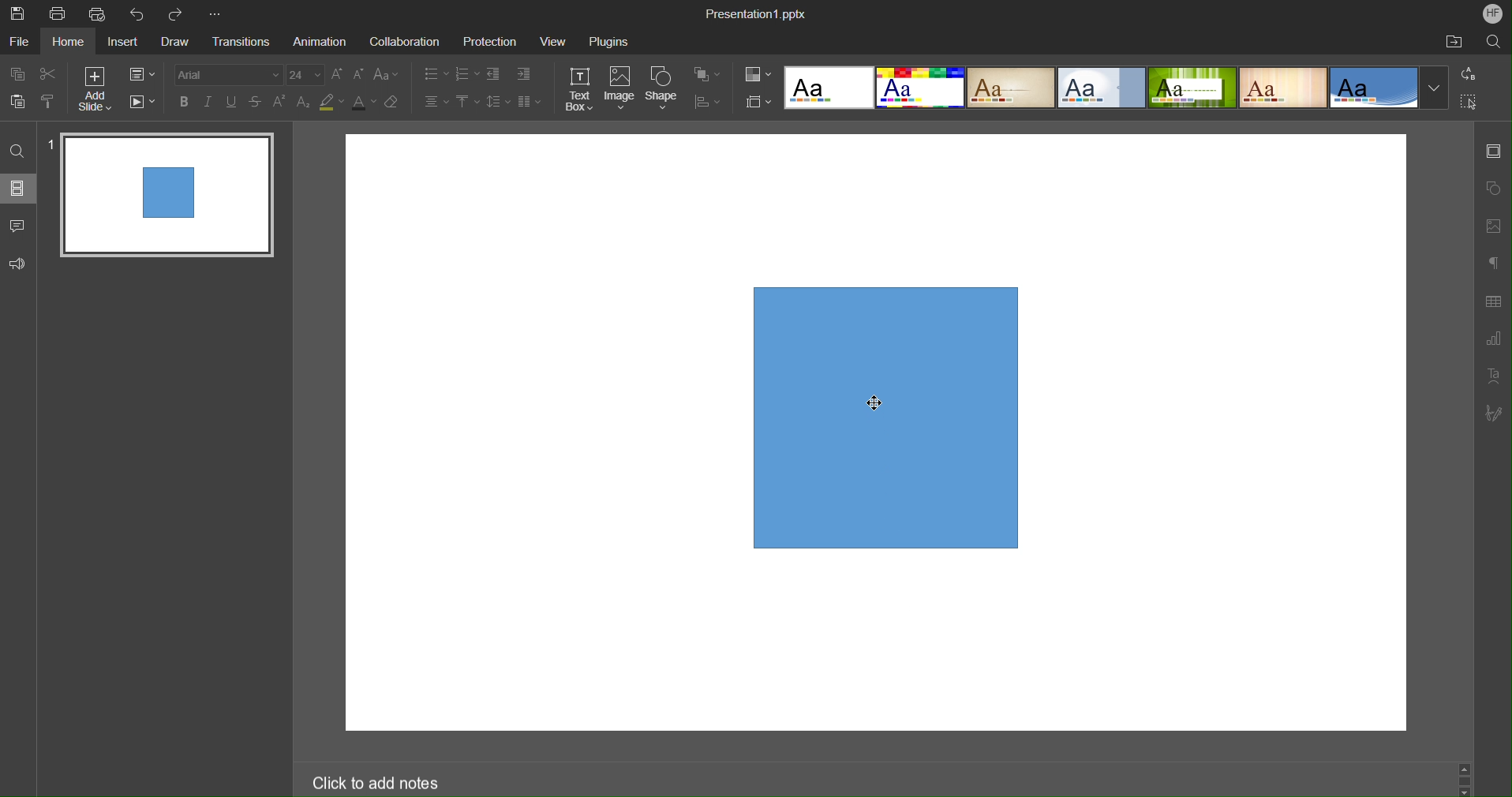 The height and width of the screenshot is (797, 1512). Describe the element at coordinates (305, 76) in the screenshot. I see `Font Size` at that location.